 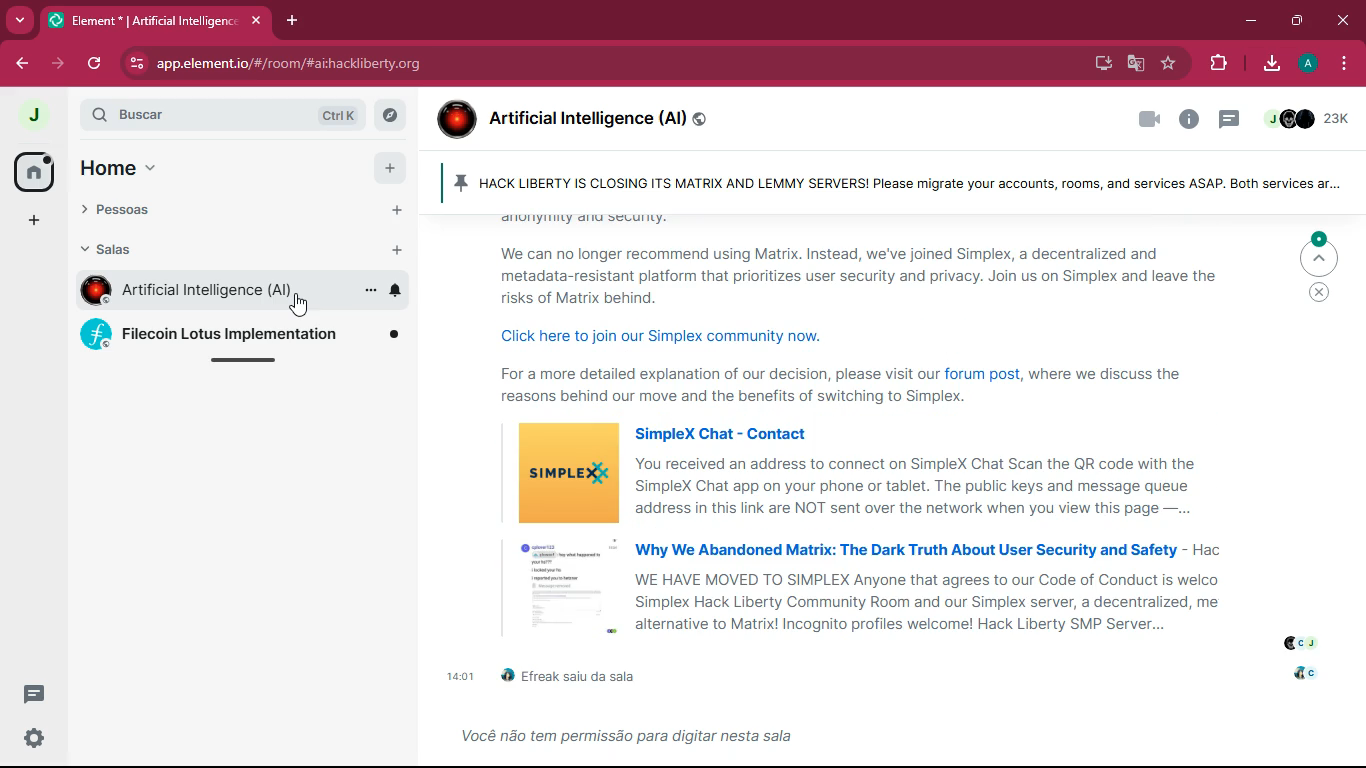 I want to click on For a more detailed explanation of our decision, please visit our forum post, where we discuss the
reasons behind our move and the benefits of switching to Simplex., so click(x=872, y=387).